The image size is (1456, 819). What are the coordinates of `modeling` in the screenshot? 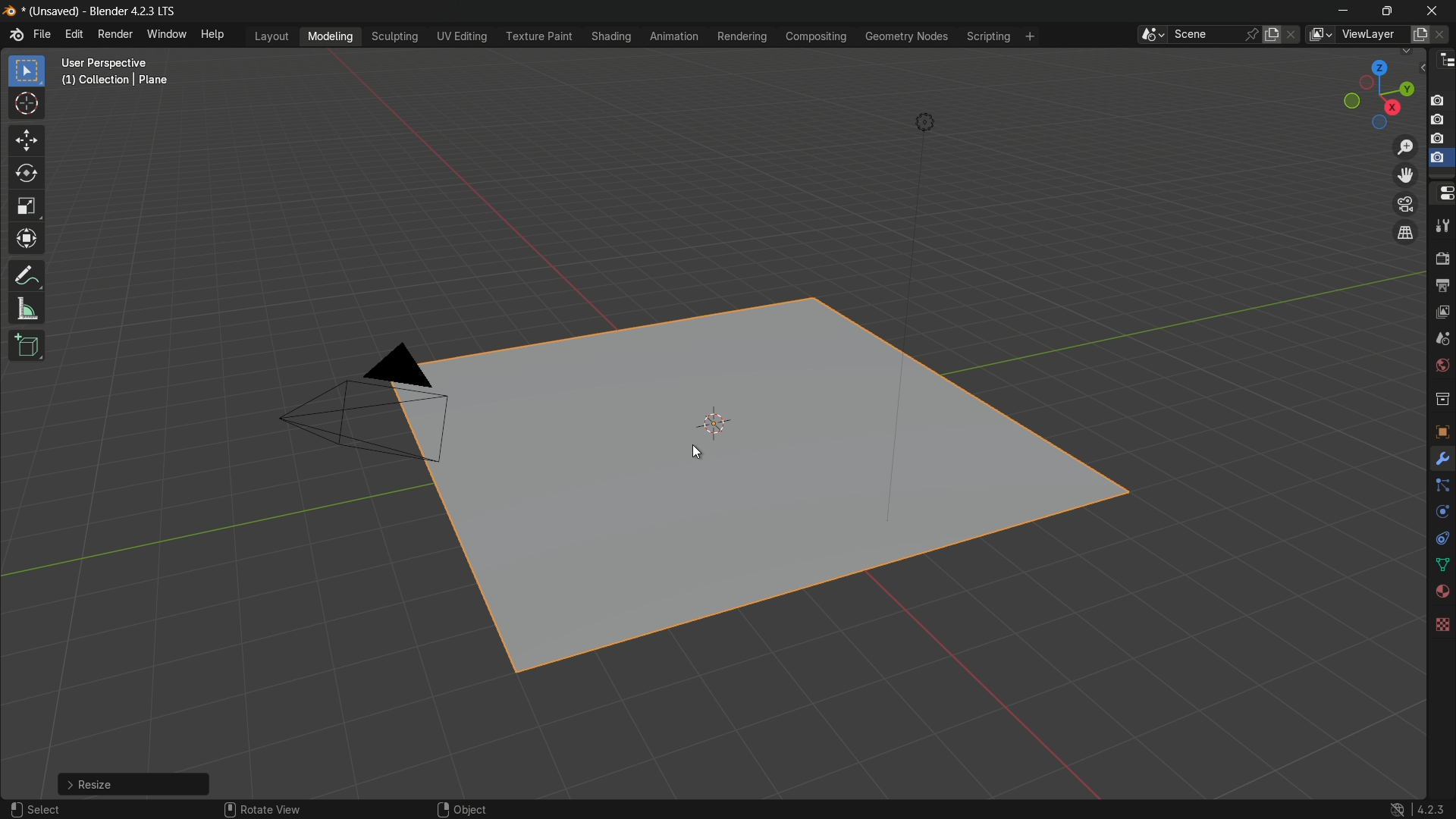 It's located at (328, 36).